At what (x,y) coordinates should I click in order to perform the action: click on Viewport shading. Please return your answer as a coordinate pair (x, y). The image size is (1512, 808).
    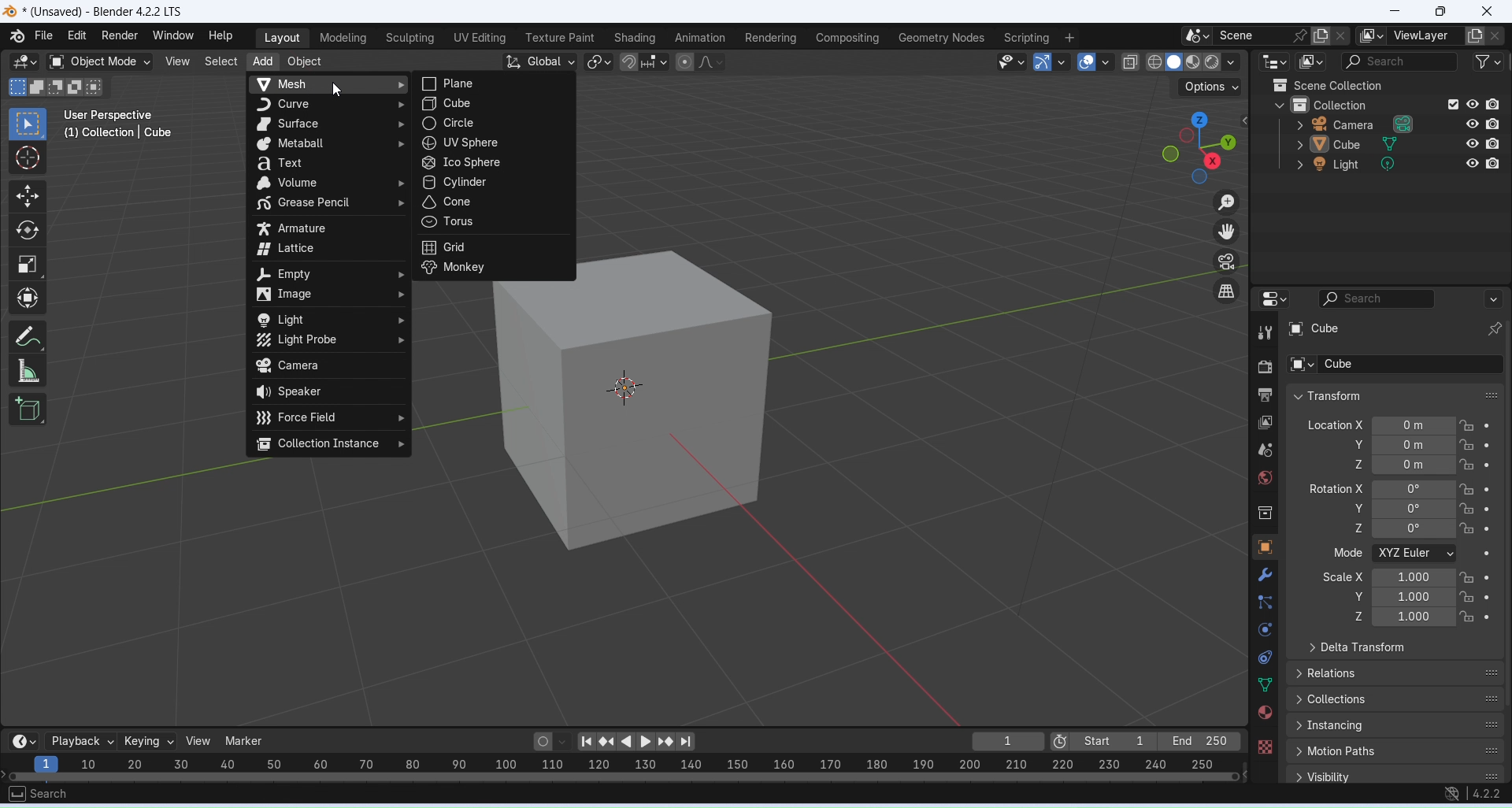
    Looking at the image, I should click on (1184, 61).